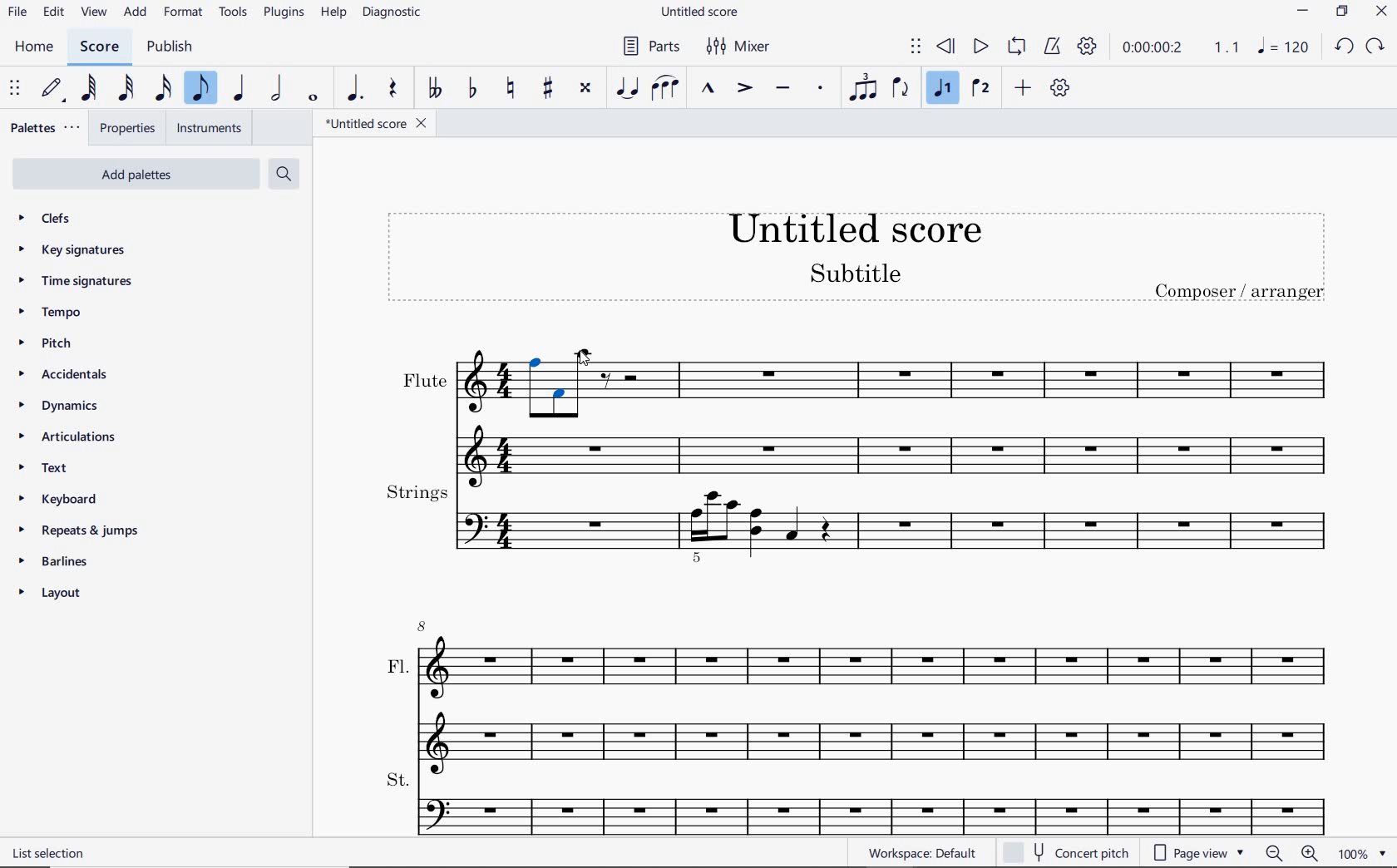  What do you see at coordinates (51, 595) in the screenshot?
I see `layout` at bounding box center [51, 595].